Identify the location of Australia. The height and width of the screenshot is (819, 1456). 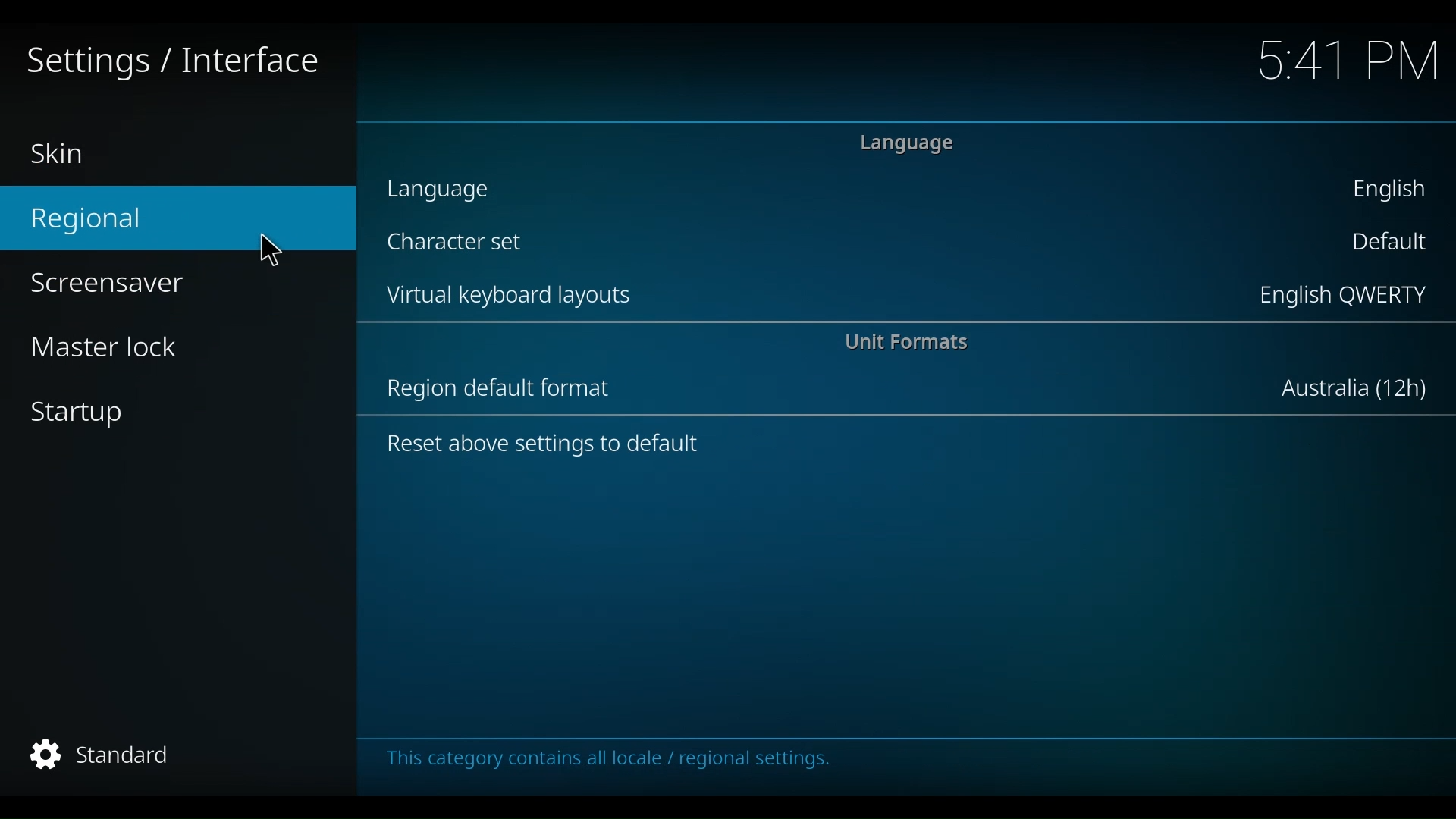
(1359, 389).